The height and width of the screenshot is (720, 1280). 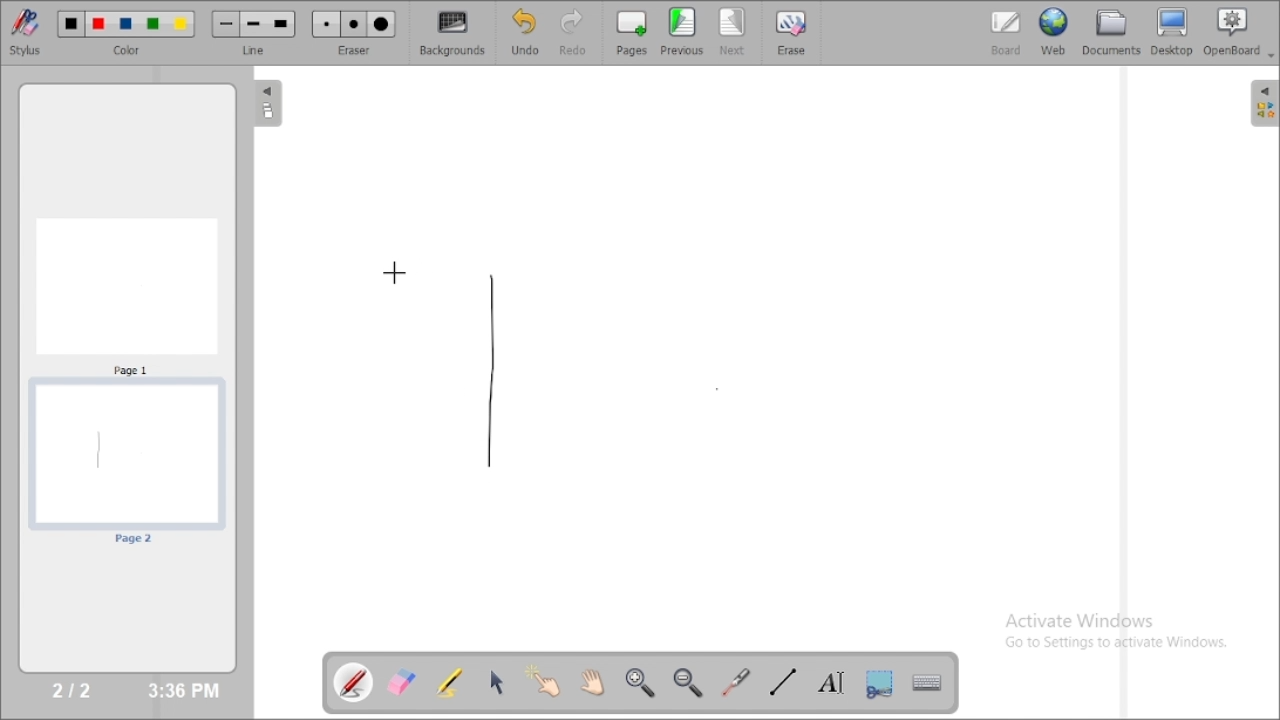 What do you see at coordinates (354, 50) in the screenshot?
I see `eraser` at bounding box center [354, 50].